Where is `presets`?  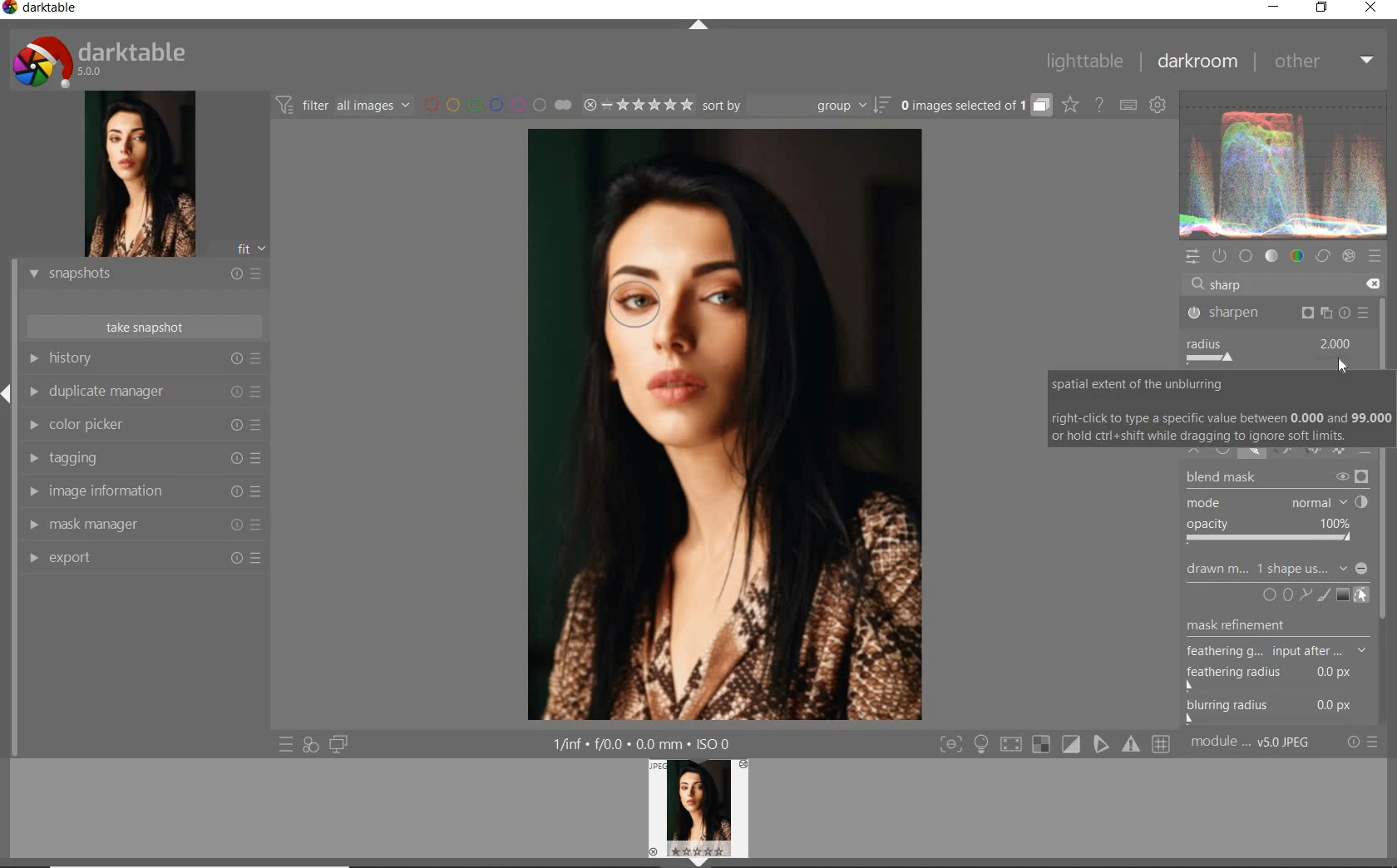 presets is located at coordinates (1377, 258).